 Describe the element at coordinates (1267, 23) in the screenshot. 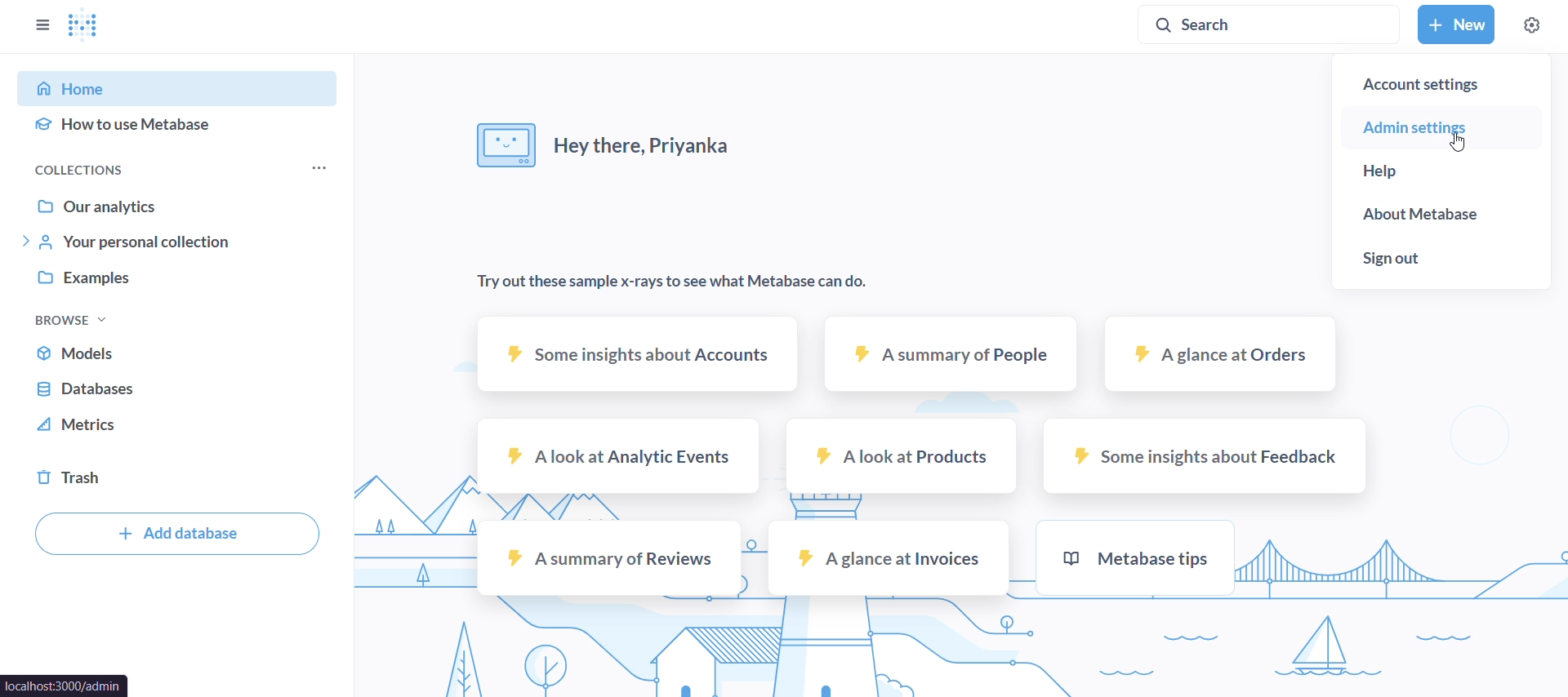

I see `search` at that location.